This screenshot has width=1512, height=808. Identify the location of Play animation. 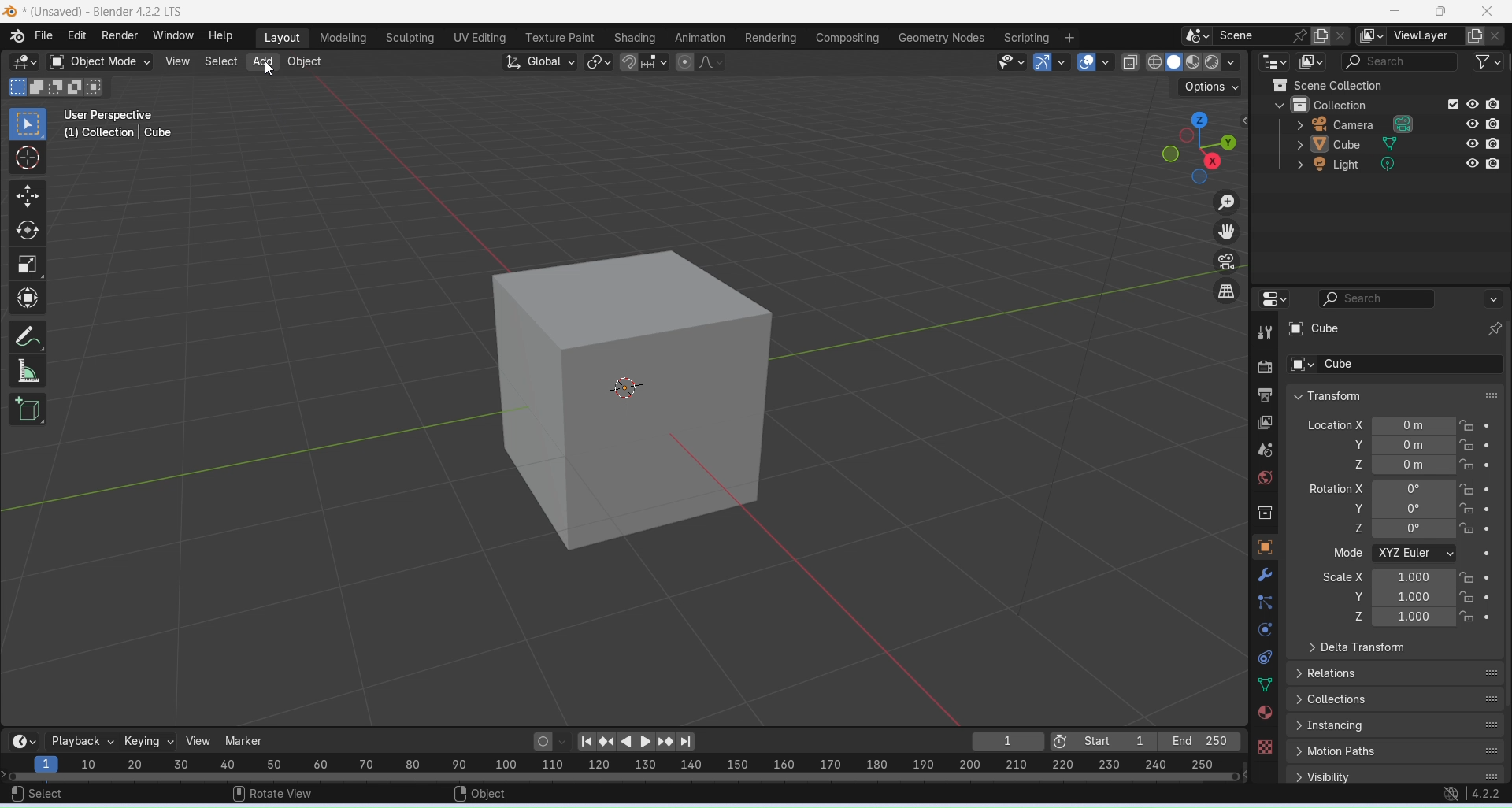
(624, 742).